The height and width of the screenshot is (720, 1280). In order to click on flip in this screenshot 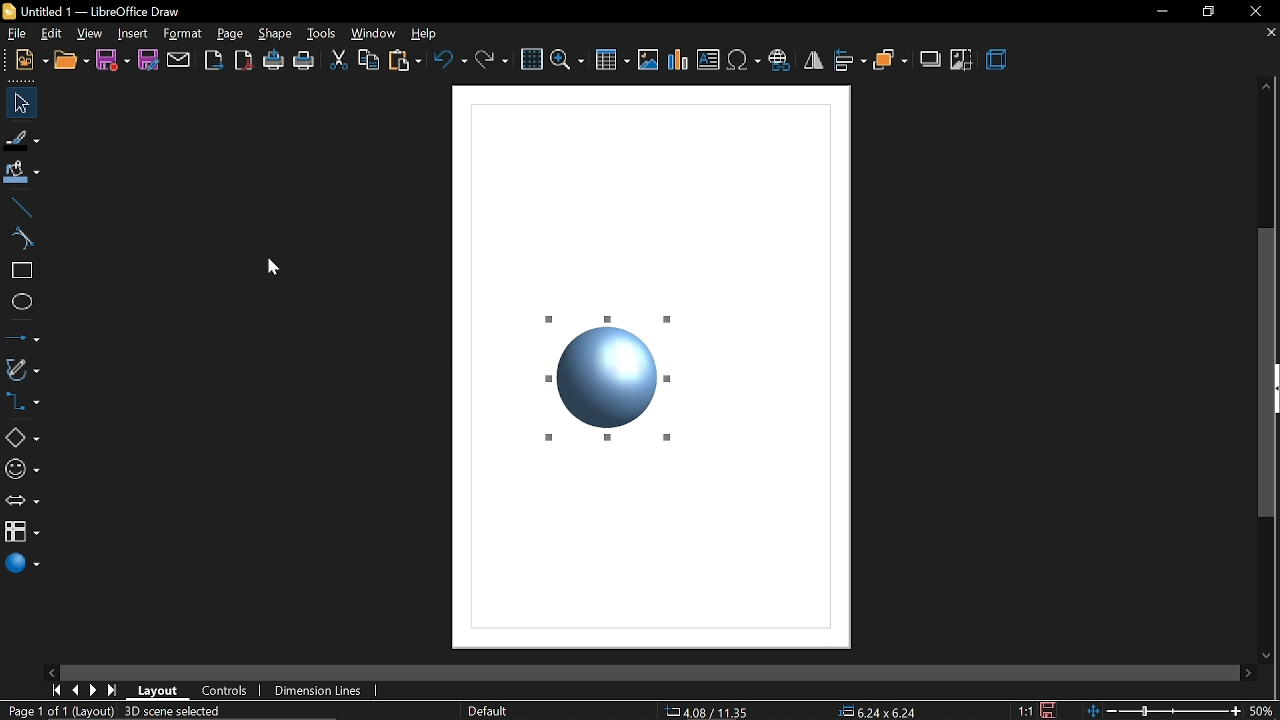, I will do `click(814, 60)`.